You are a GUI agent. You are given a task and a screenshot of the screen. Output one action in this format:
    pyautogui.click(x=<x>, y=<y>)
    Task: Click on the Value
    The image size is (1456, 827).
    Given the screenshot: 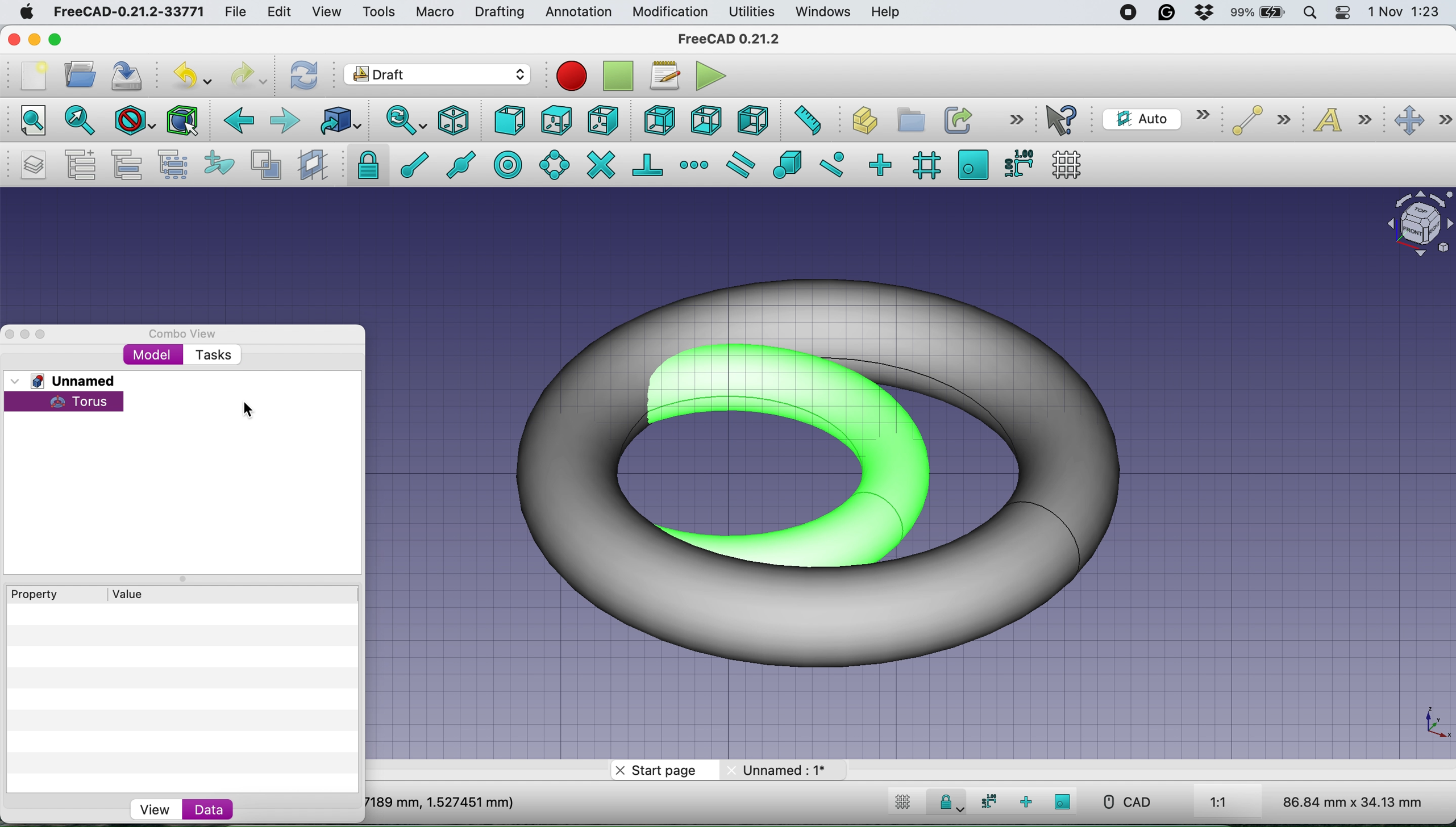 What is the action you would take?
    pyautogui.click(x=143, y=592)
    